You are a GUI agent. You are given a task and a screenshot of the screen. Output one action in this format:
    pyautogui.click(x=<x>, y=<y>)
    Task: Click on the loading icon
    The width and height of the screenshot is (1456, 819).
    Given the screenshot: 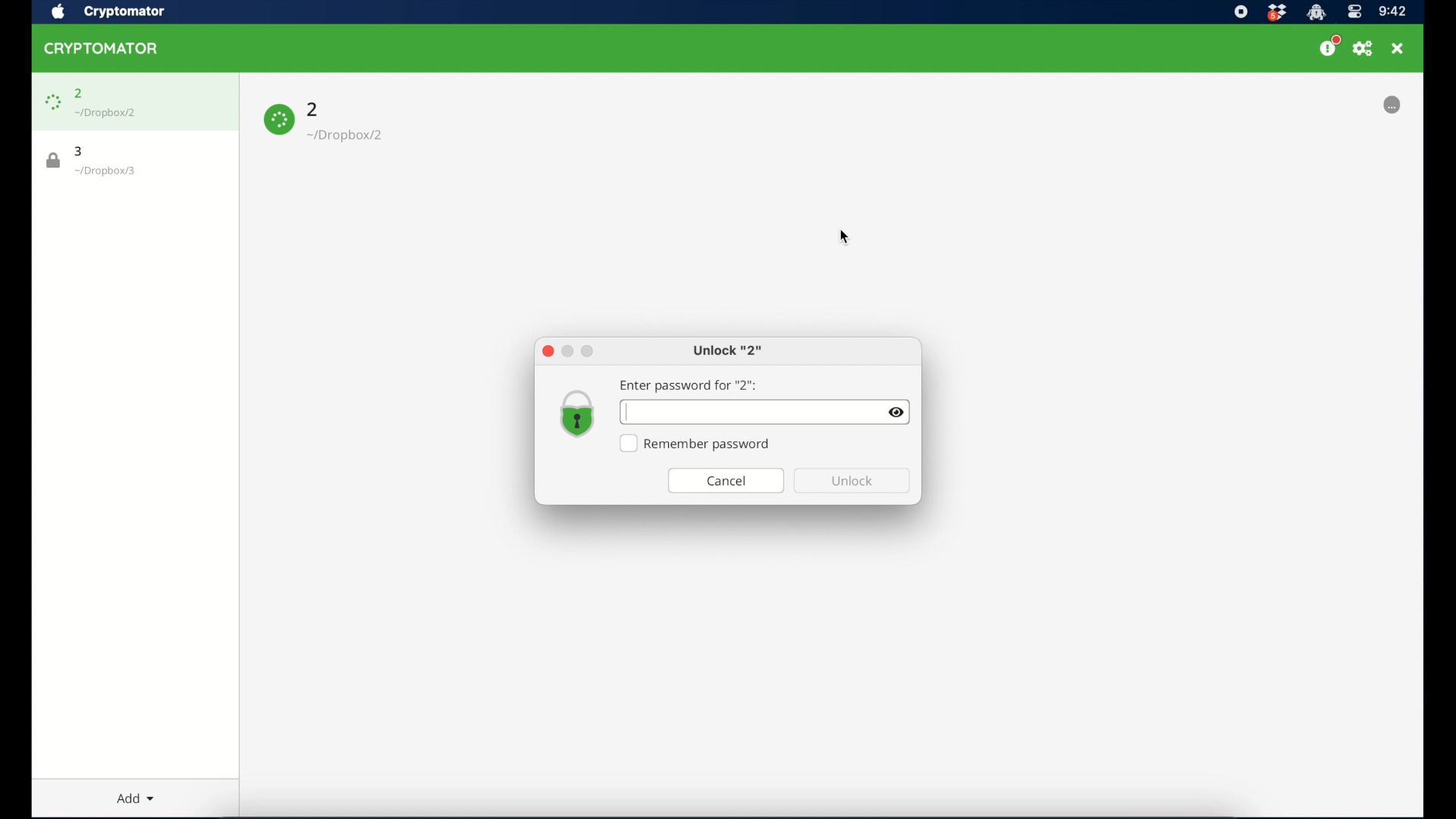 What is the action you would take?
    pyautogui.click(x=52, y=102)
    